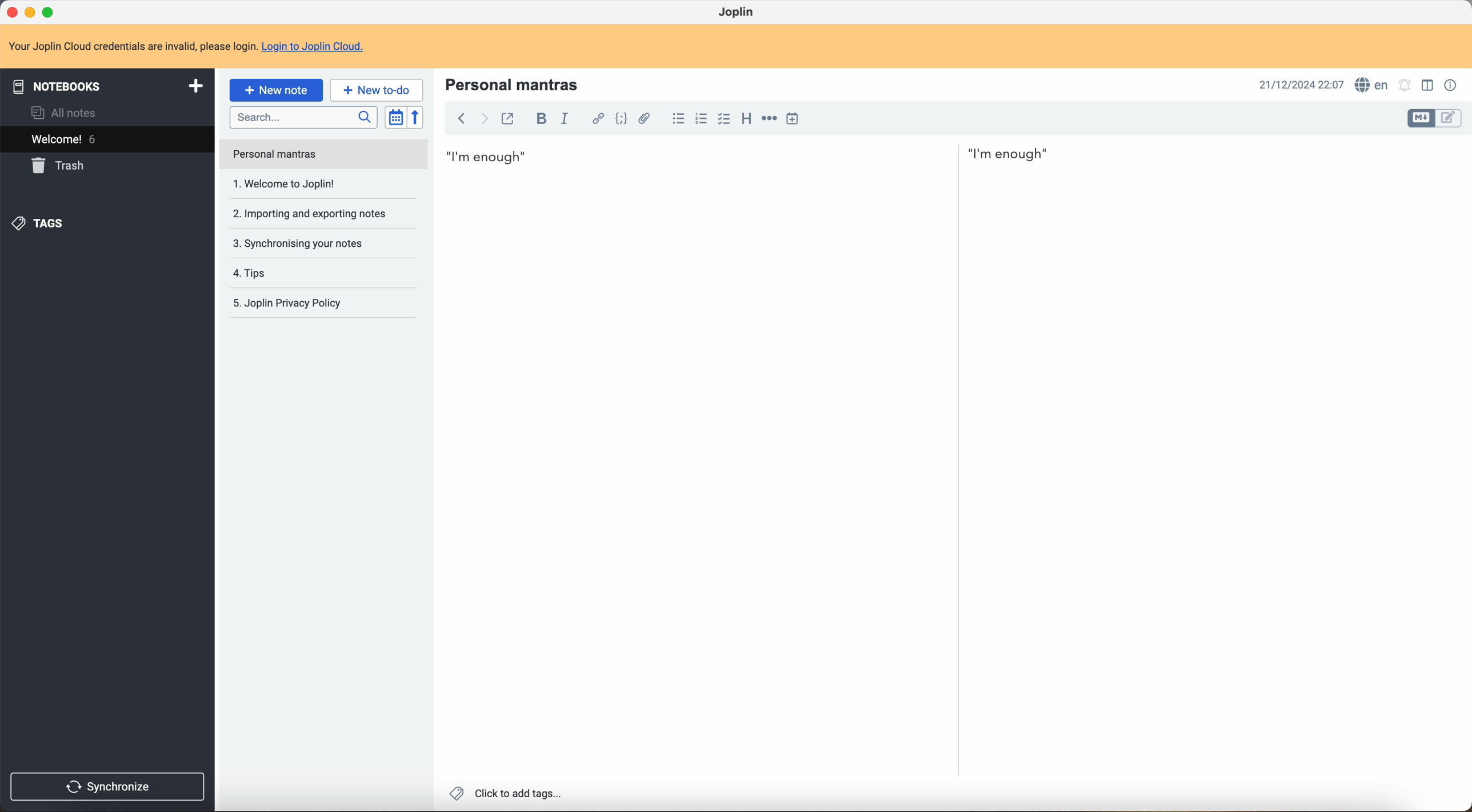 The width and height of the screenshot is (1472, 812). What do you see at coordinates (1430, 85) in the screenshot?
I see `toggle edit layout` at bounding box center [1430, 85].